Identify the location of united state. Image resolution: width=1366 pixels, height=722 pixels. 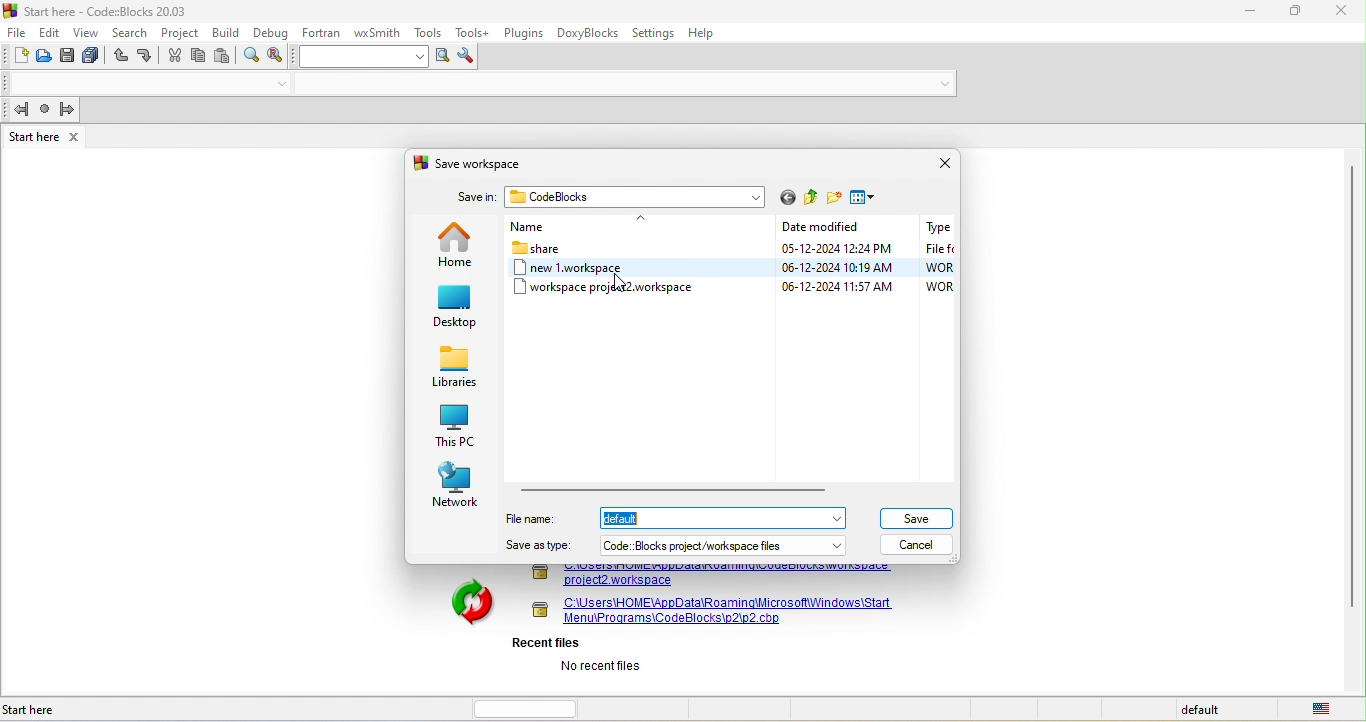
(1325, 709).